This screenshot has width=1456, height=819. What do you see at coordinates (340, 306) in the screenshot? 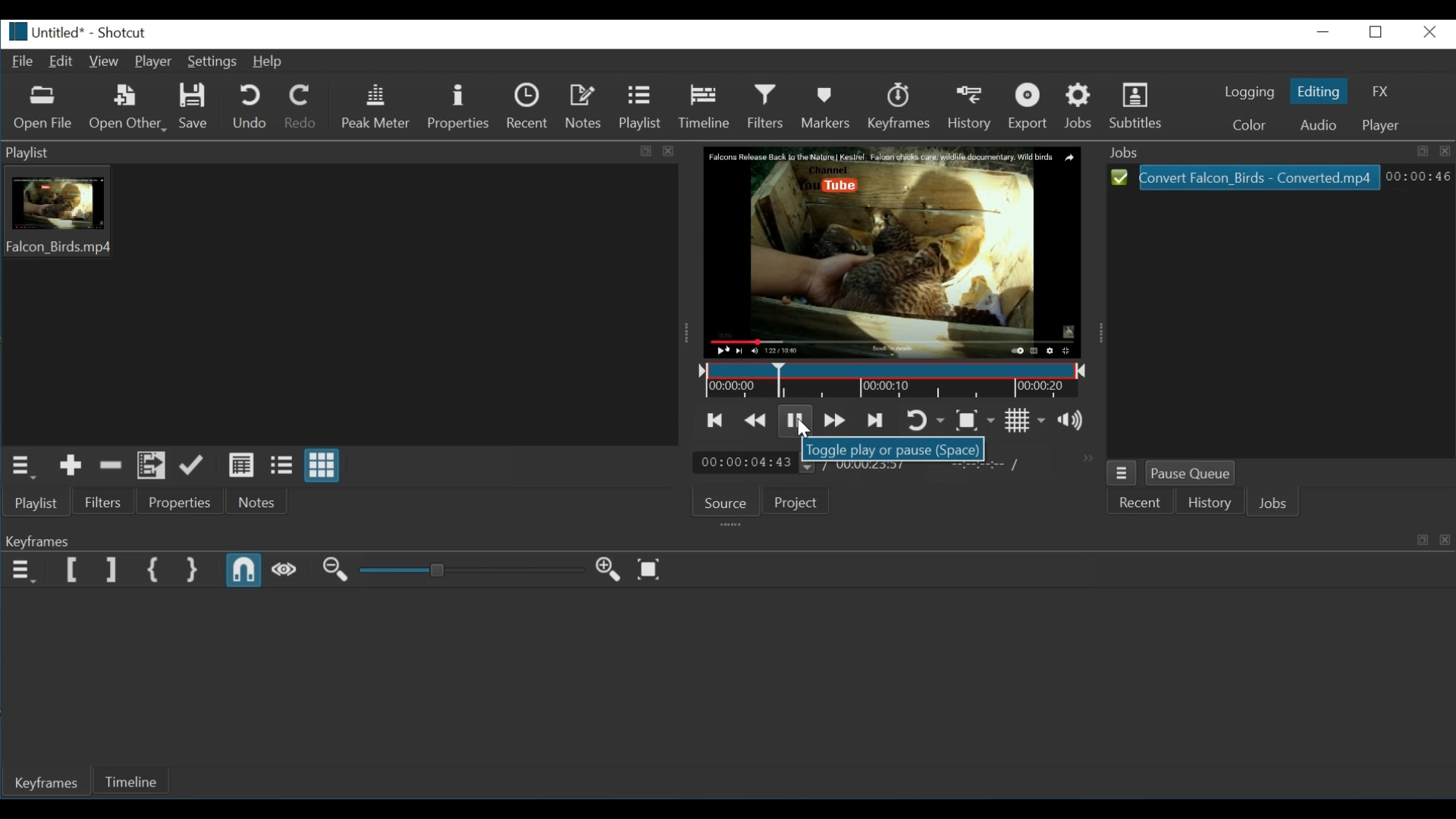
I see `Playlist thumbnail` at bounding box center [340, 306].